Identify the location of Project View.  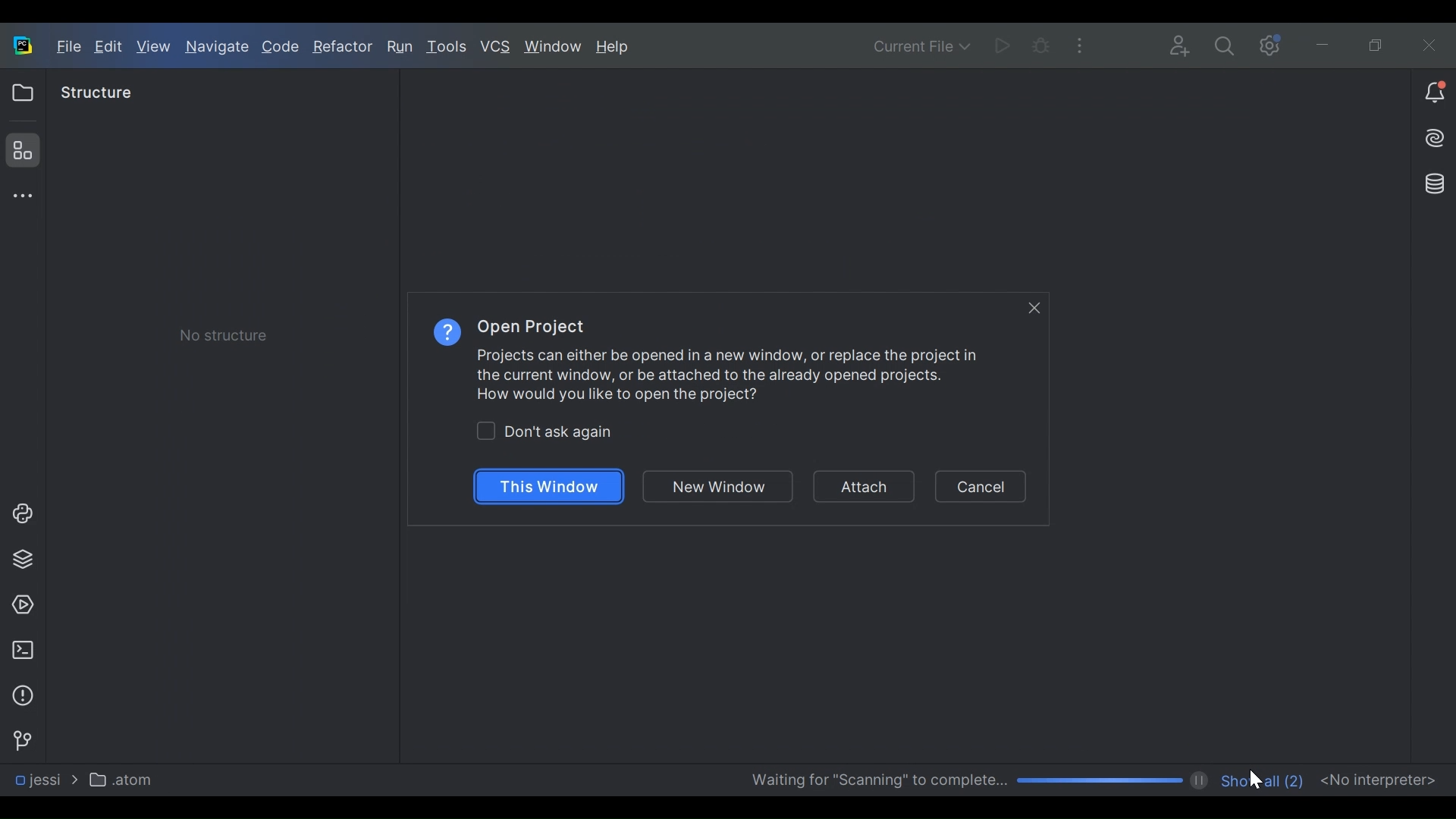
(22, 93).